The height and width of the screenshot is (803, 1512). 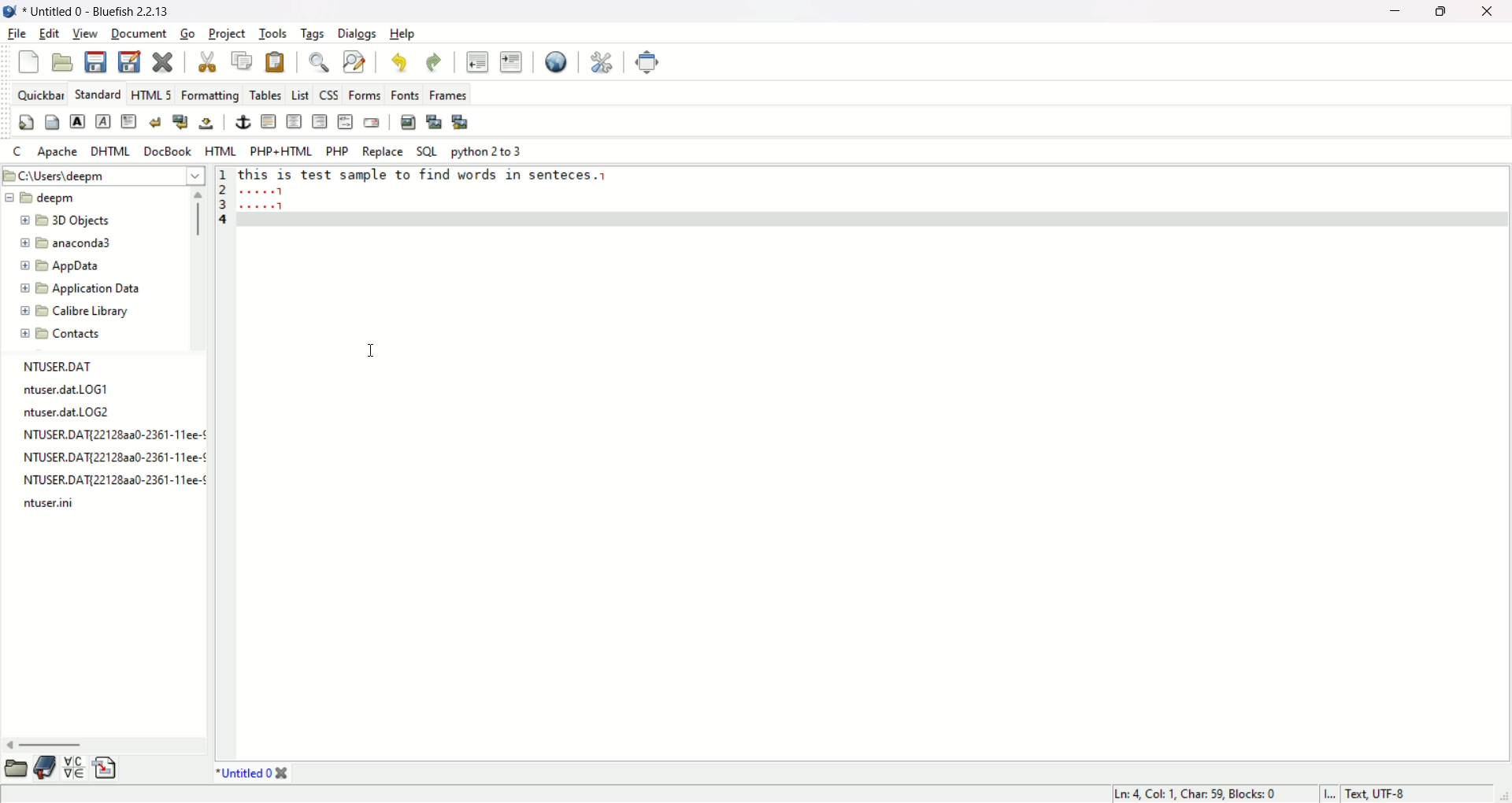 I want to click on save, so click(x=94, y=62).